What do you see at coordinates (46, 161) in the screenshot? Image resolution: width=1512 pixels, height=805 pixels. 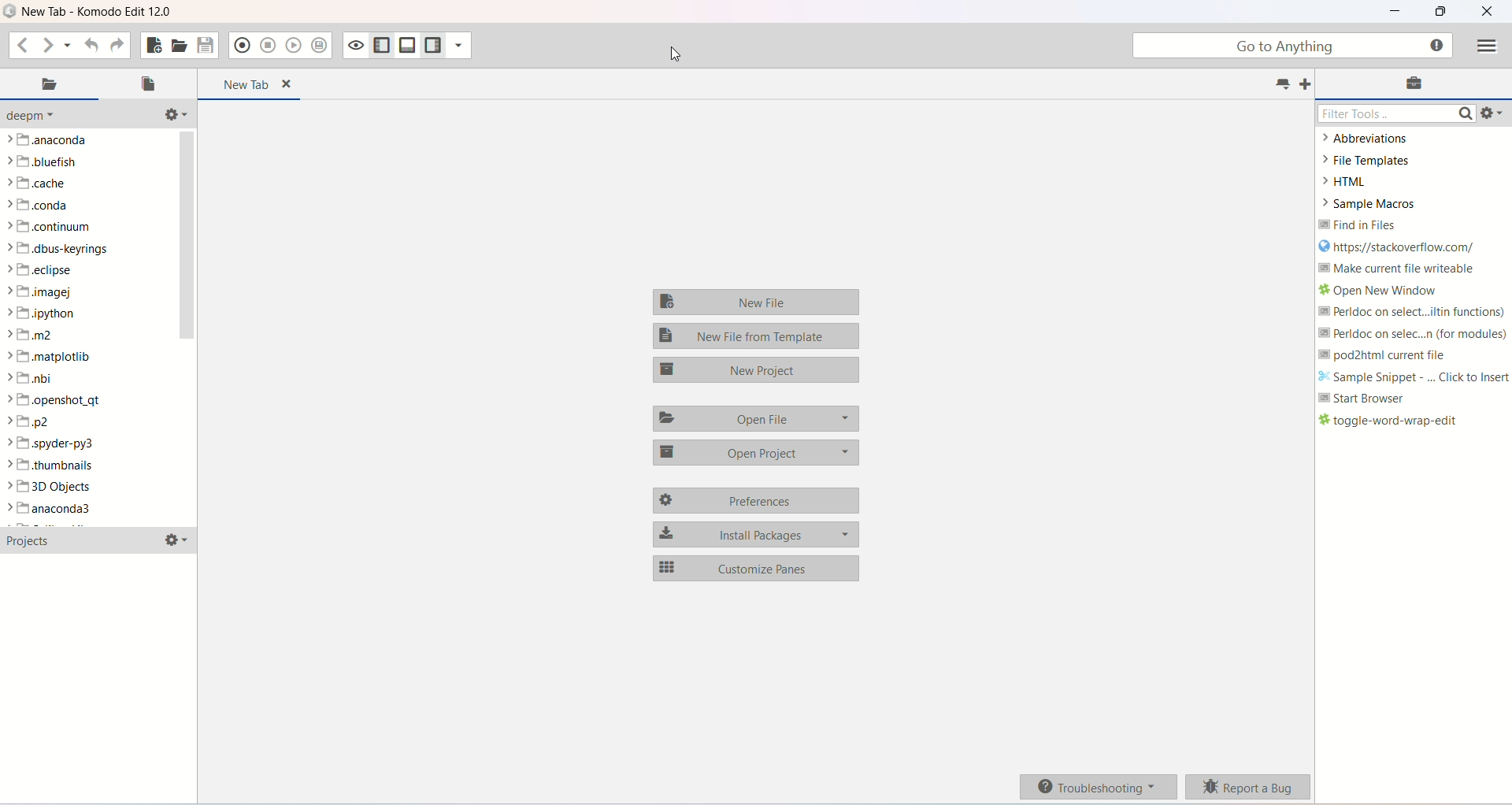 I see `bluefish` at bounding box center [46, 161].